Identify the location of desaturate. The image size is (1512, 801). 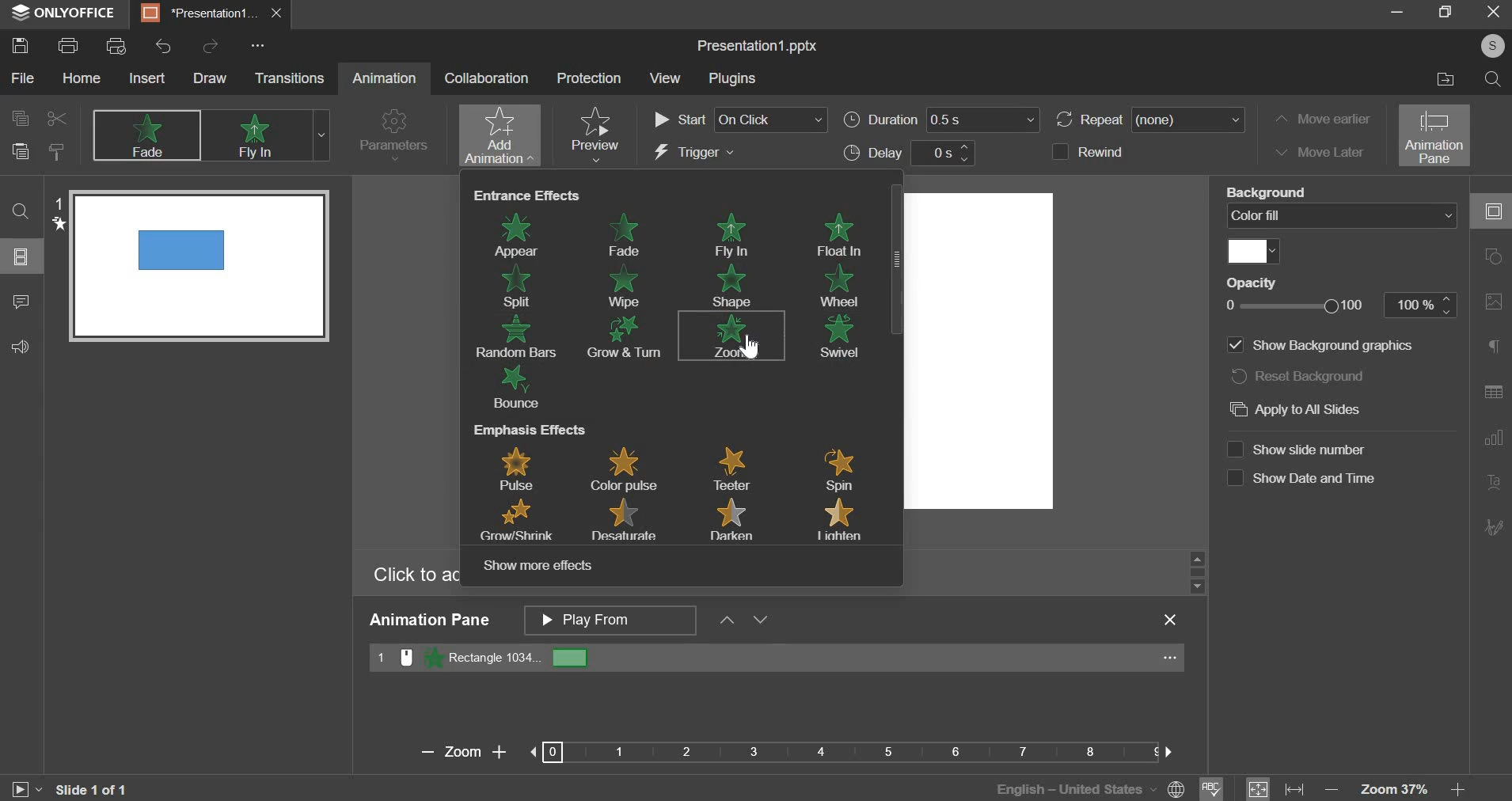
(626, 518).